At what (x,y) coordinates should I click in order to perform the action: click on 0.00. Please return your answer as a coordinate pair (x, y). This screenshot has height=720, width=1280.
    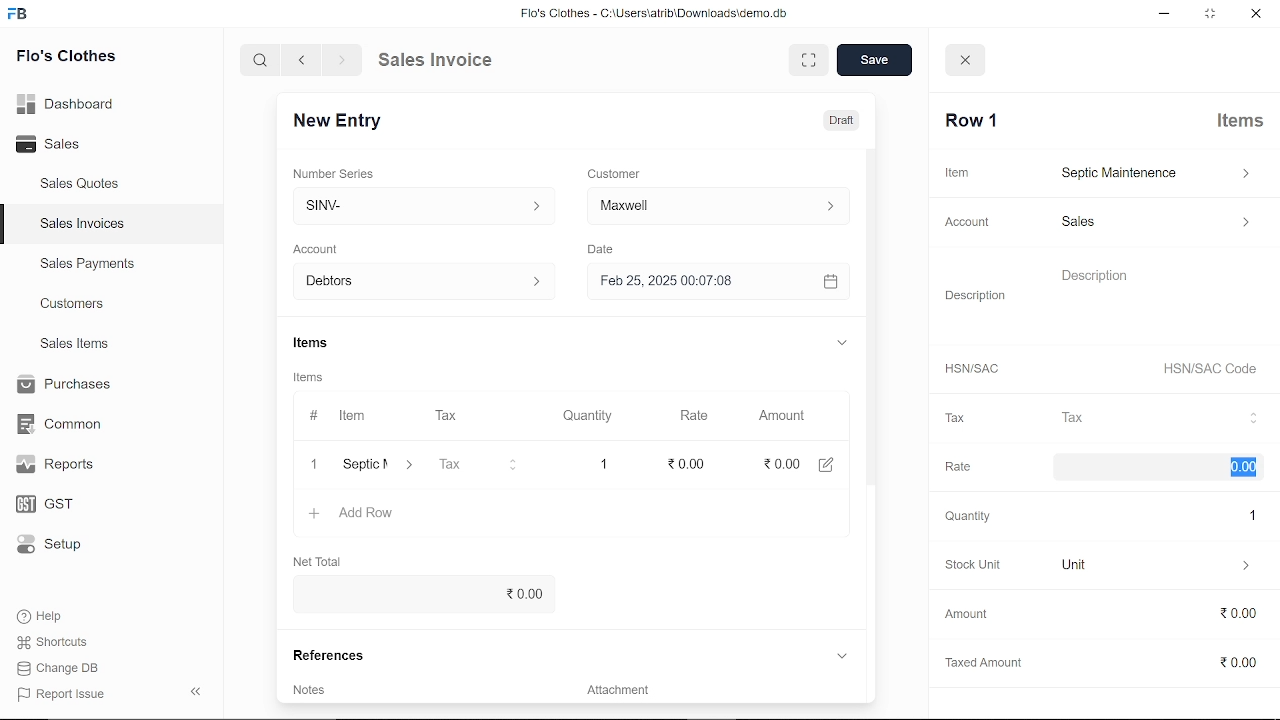
    Looking at the image, I should click on (1238, 467).